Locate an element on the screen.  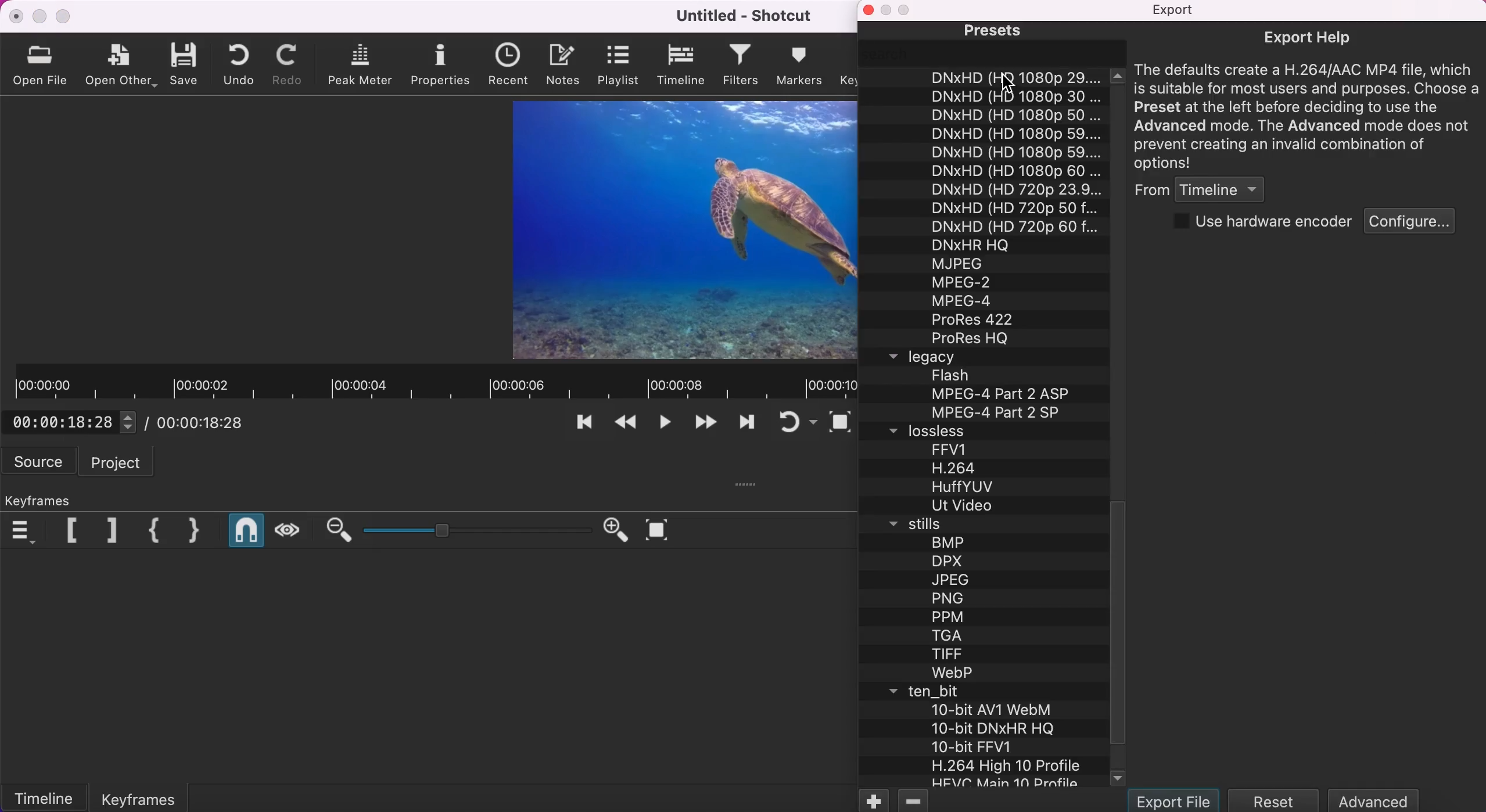
00:00:18:28 is located at coordinates (68, 419).